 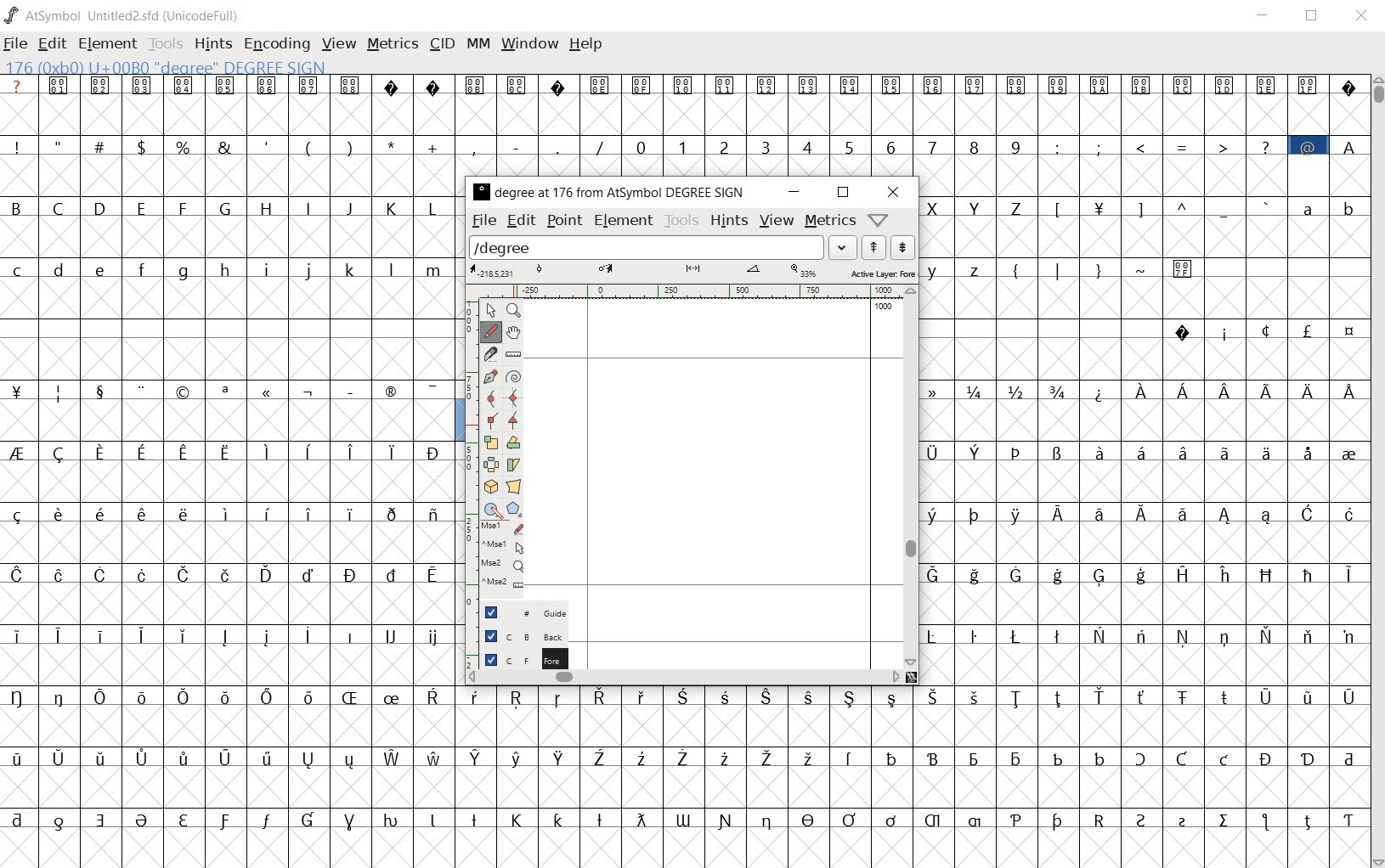 What do you see at coordinates (625, 222) in the screenshot?
I see `element` at bounding box center [625, 222].